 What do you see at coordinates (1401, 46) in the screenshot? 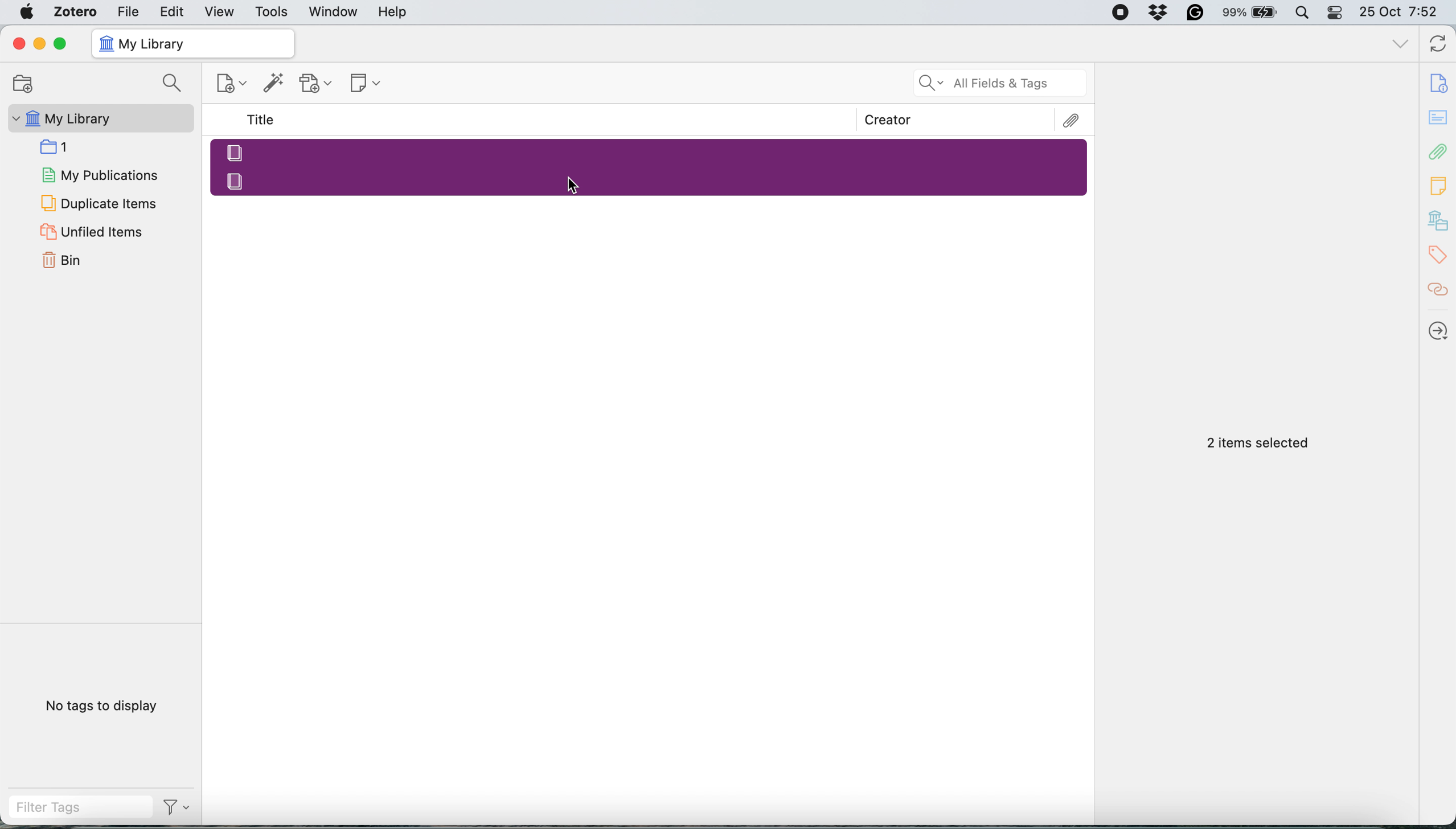
I see `list all tabs` at bounding box center [1401, 46].